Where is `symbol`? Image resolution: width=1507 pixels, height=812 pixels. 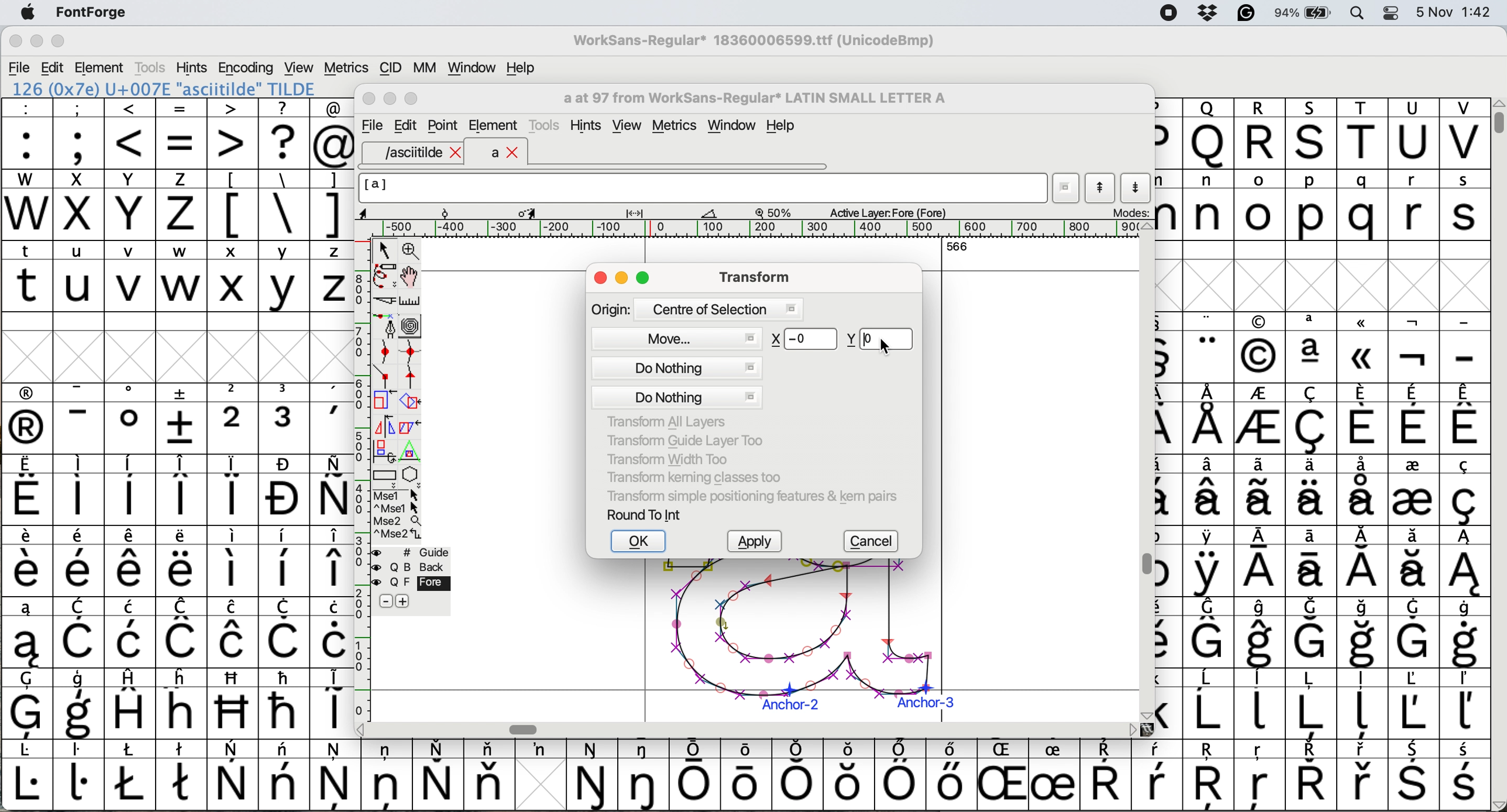 symbol is located at coordinates (1209, 632).